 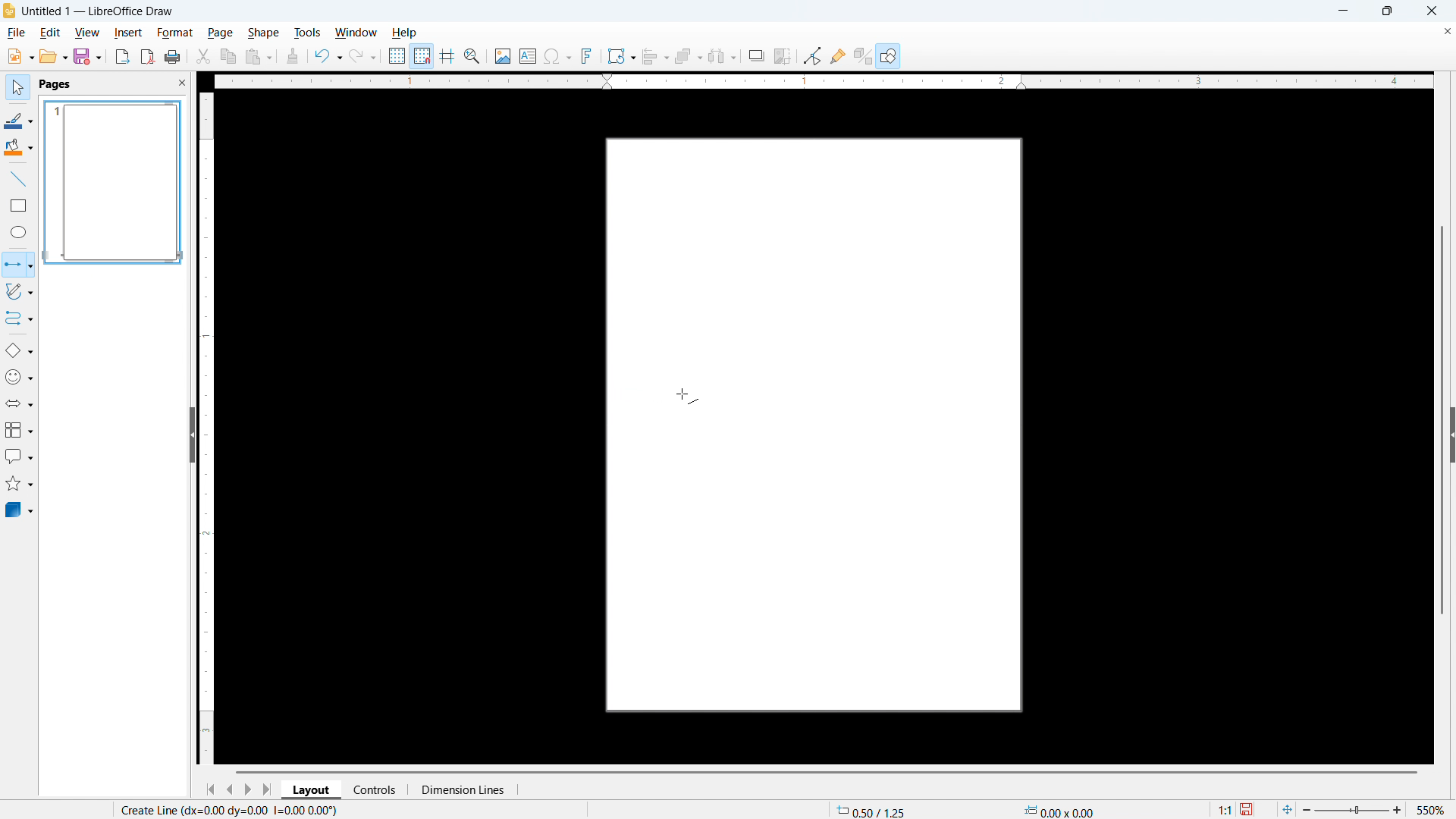 I want to click on Maximise , so click(x=1388, y=11).